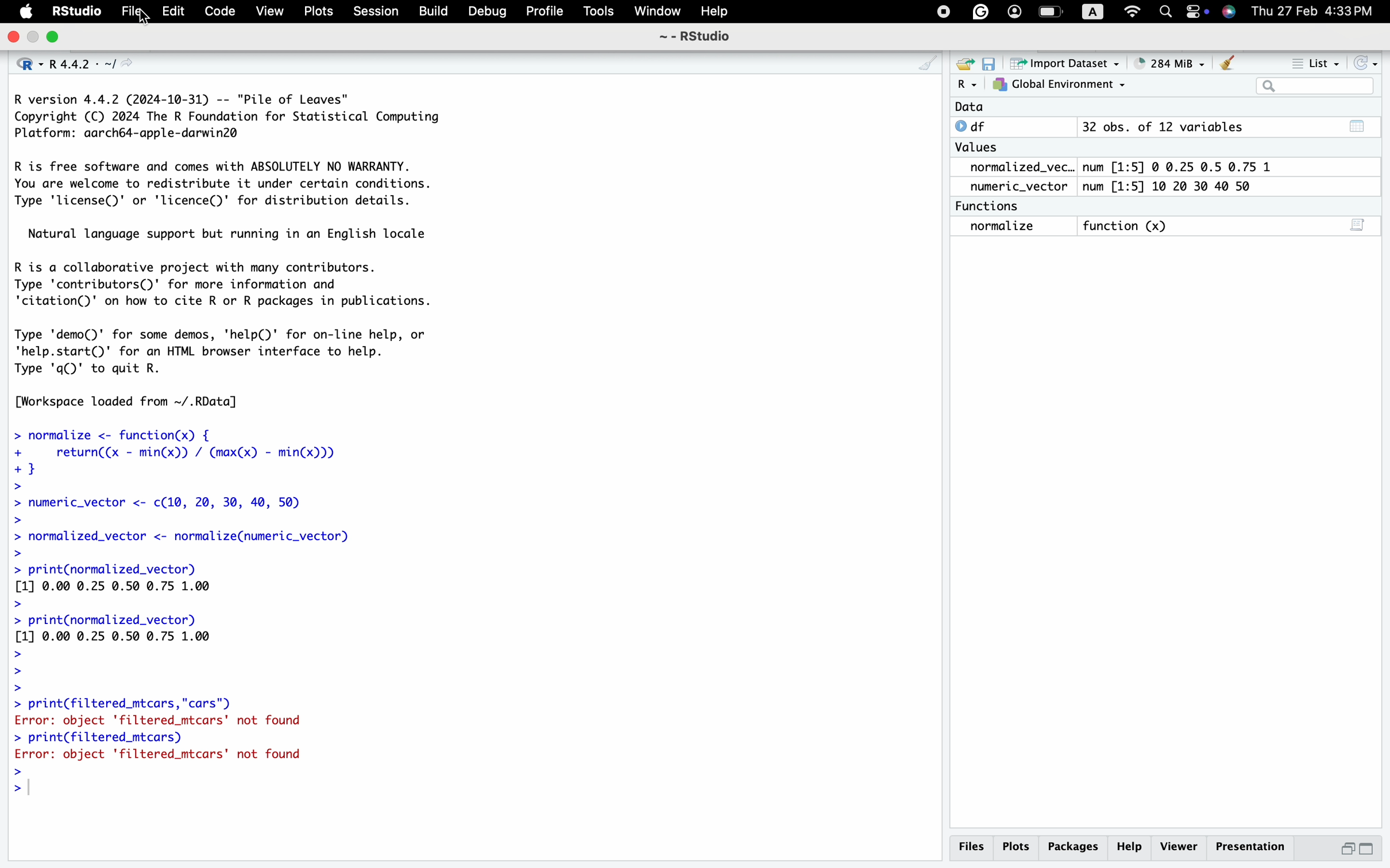 The image size is (1390, 868). I want to click on List , so click(1317, 63).